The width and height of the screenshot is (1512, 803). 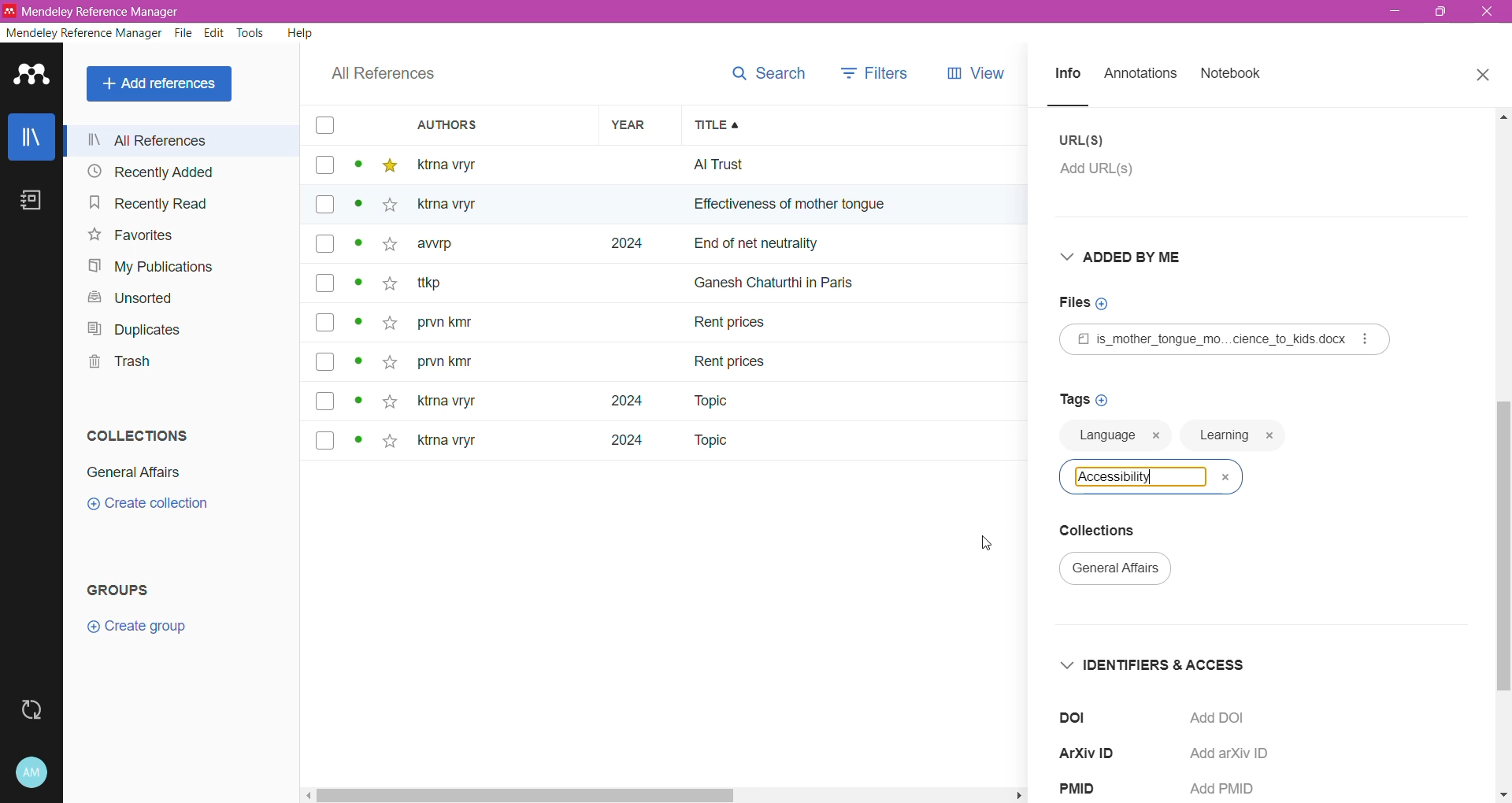 I want to click on All References, so click(x=384, y=74).